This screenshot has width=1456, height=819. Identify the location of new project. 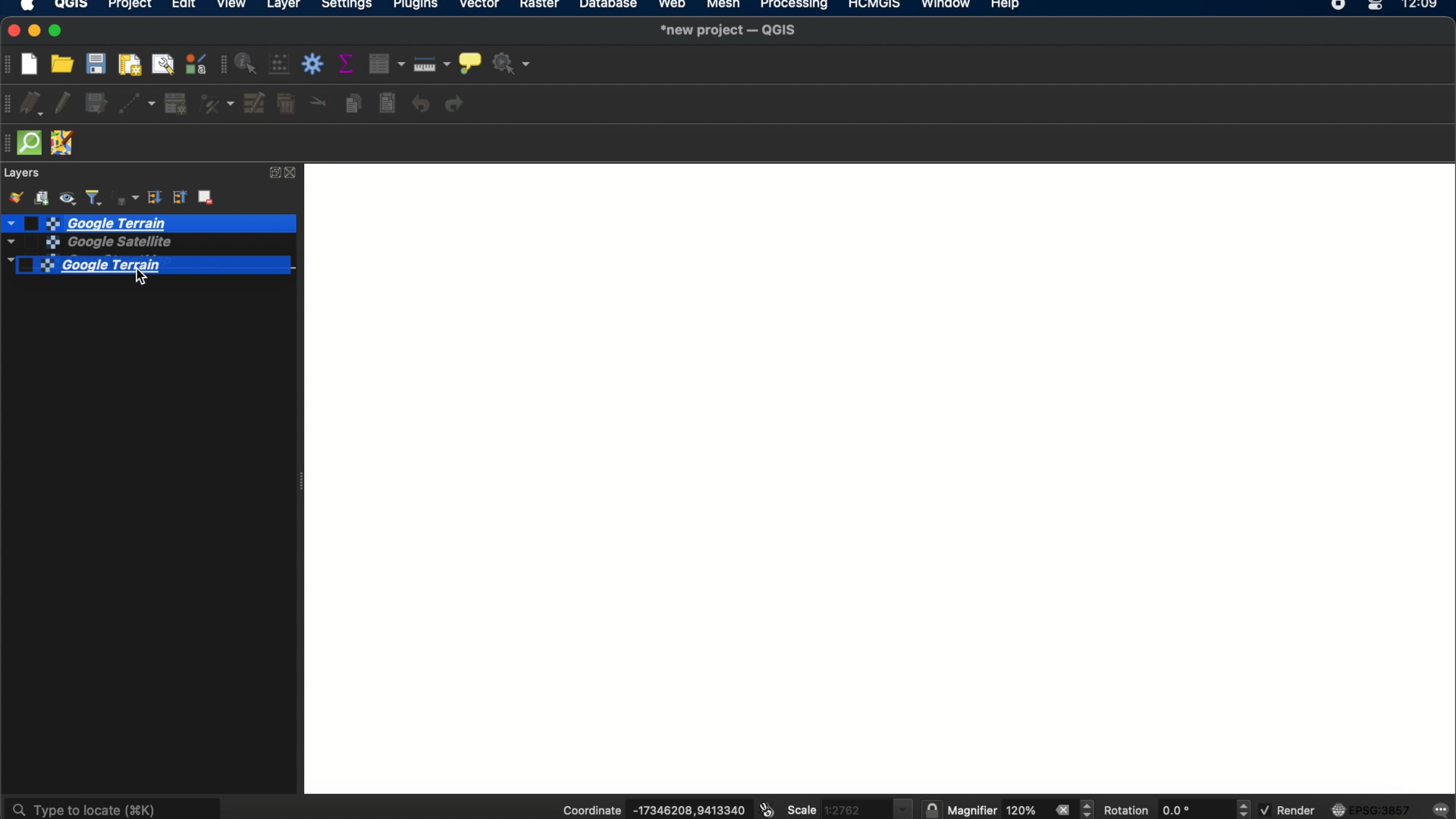
(34, 62).